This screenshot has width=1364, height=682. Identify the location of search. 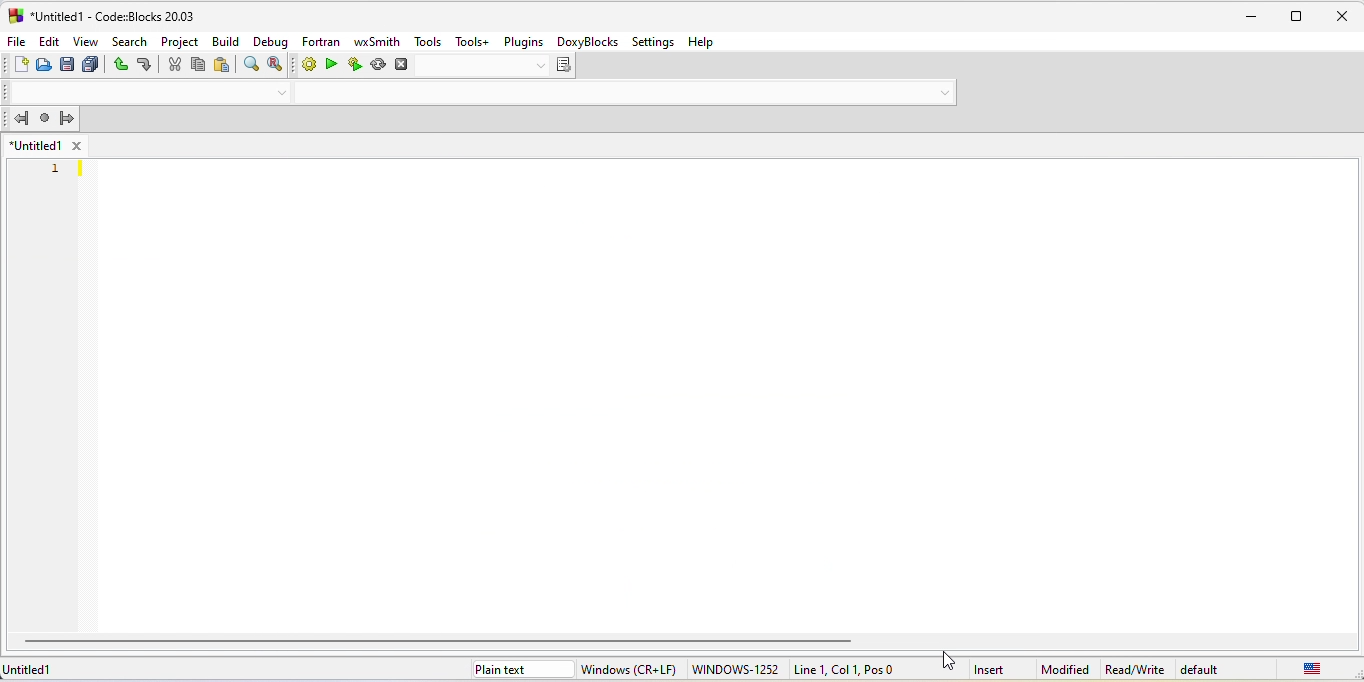
(130, 41).